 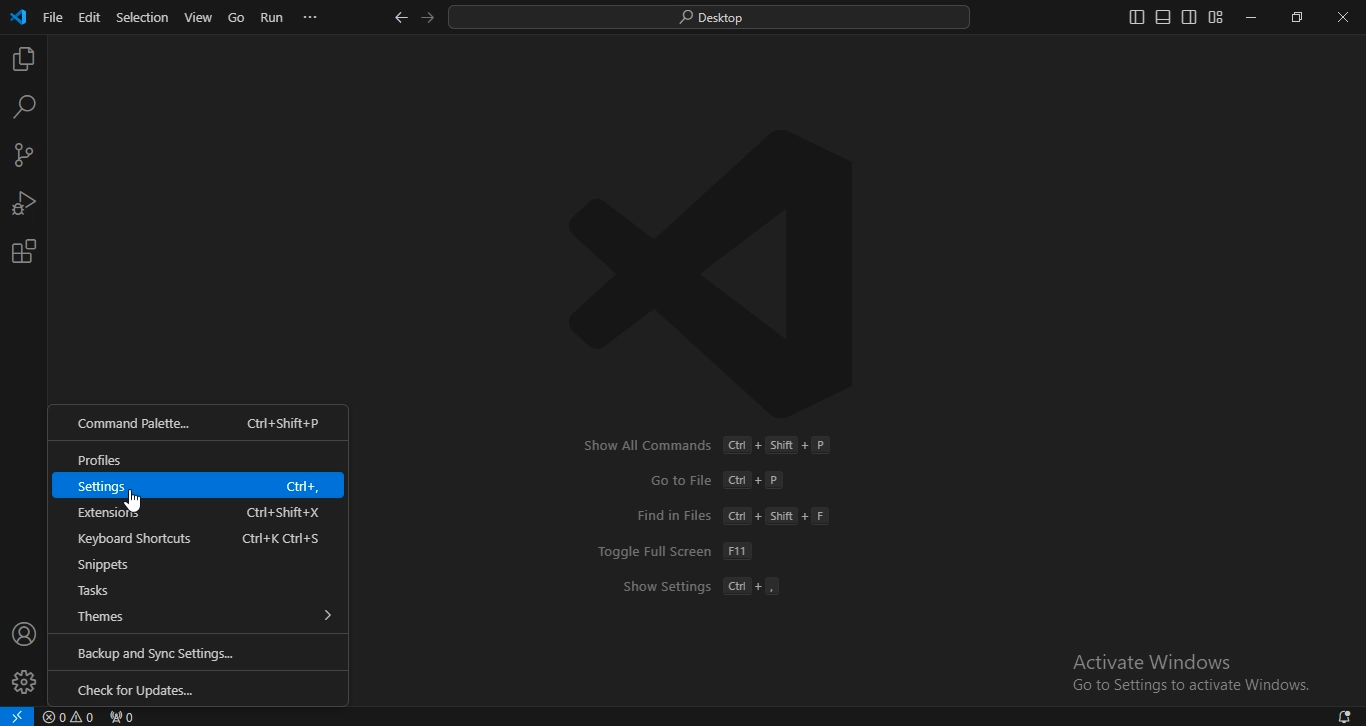 What do you see at coordinates (96, 590) in the screenshot?
I see `tasks` at bounding box center [96, 590].